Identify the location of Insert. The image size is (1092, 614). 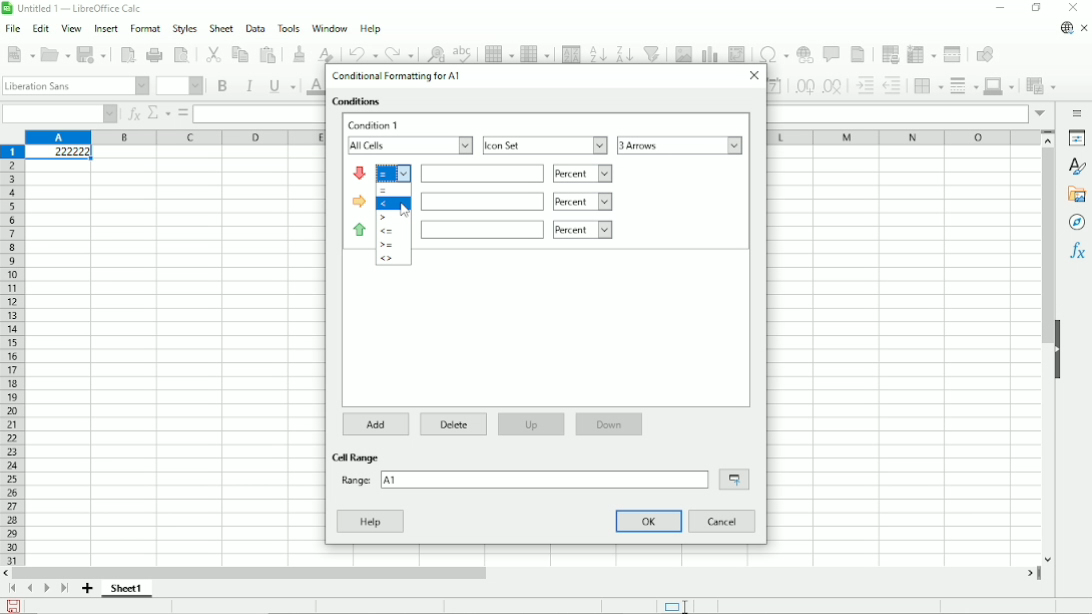
(104, 29).